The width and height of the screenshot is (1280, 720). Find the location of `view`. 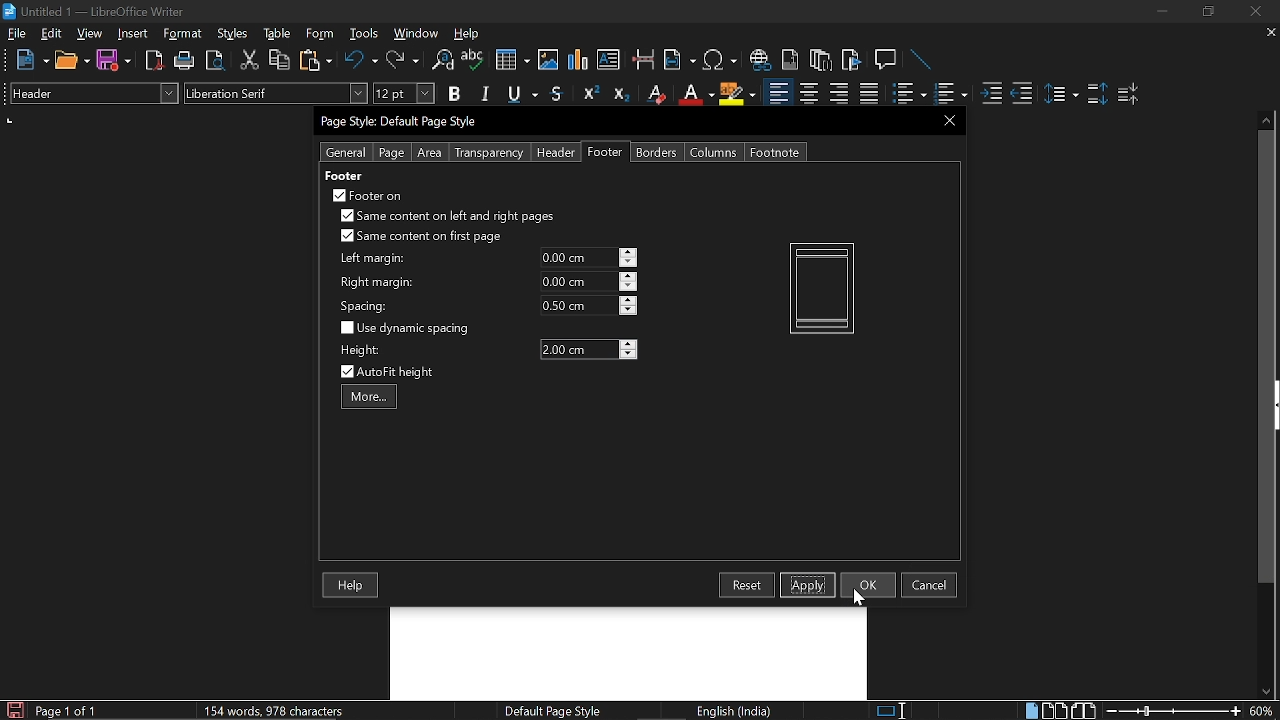

view is located at coordinates (90, 33).